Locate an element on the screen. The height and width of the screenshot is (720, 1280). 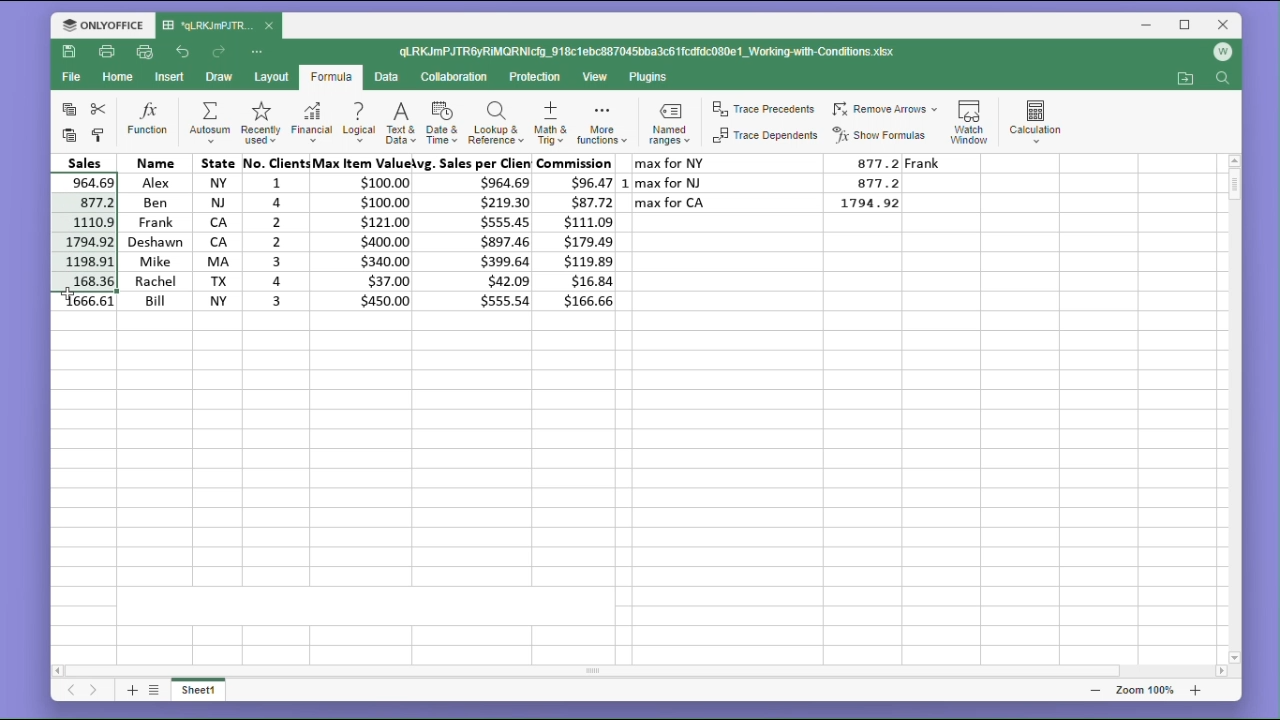
print file is located at coordinates (108, 53).